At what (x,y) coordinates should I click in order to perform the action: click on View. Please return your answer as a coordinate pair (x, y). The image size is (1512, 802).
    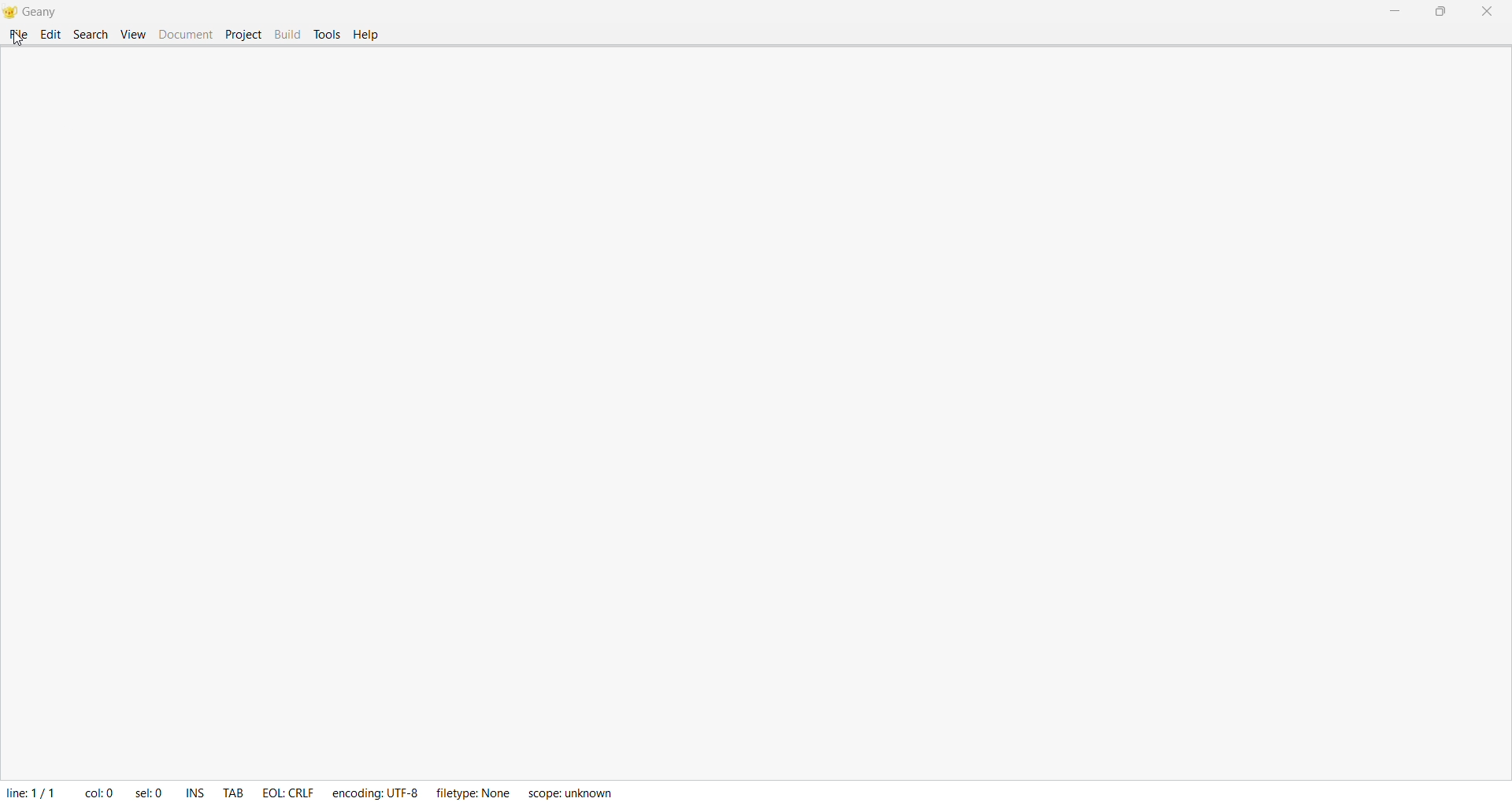
    Looking at the image, I should click on (132, 35).